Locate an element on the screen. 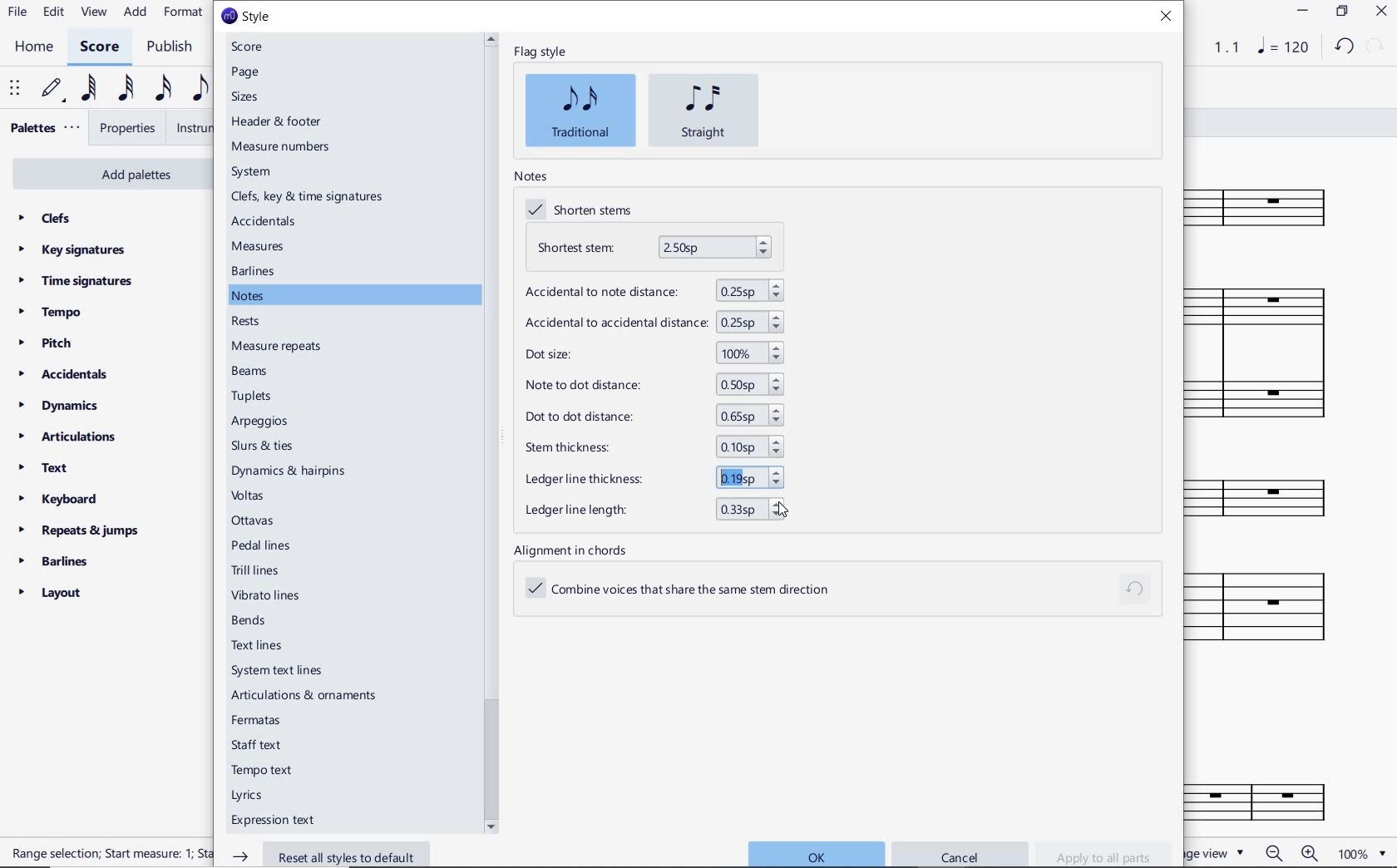 The image size is (1397, 868). ok is located at coordinates (816, 854).